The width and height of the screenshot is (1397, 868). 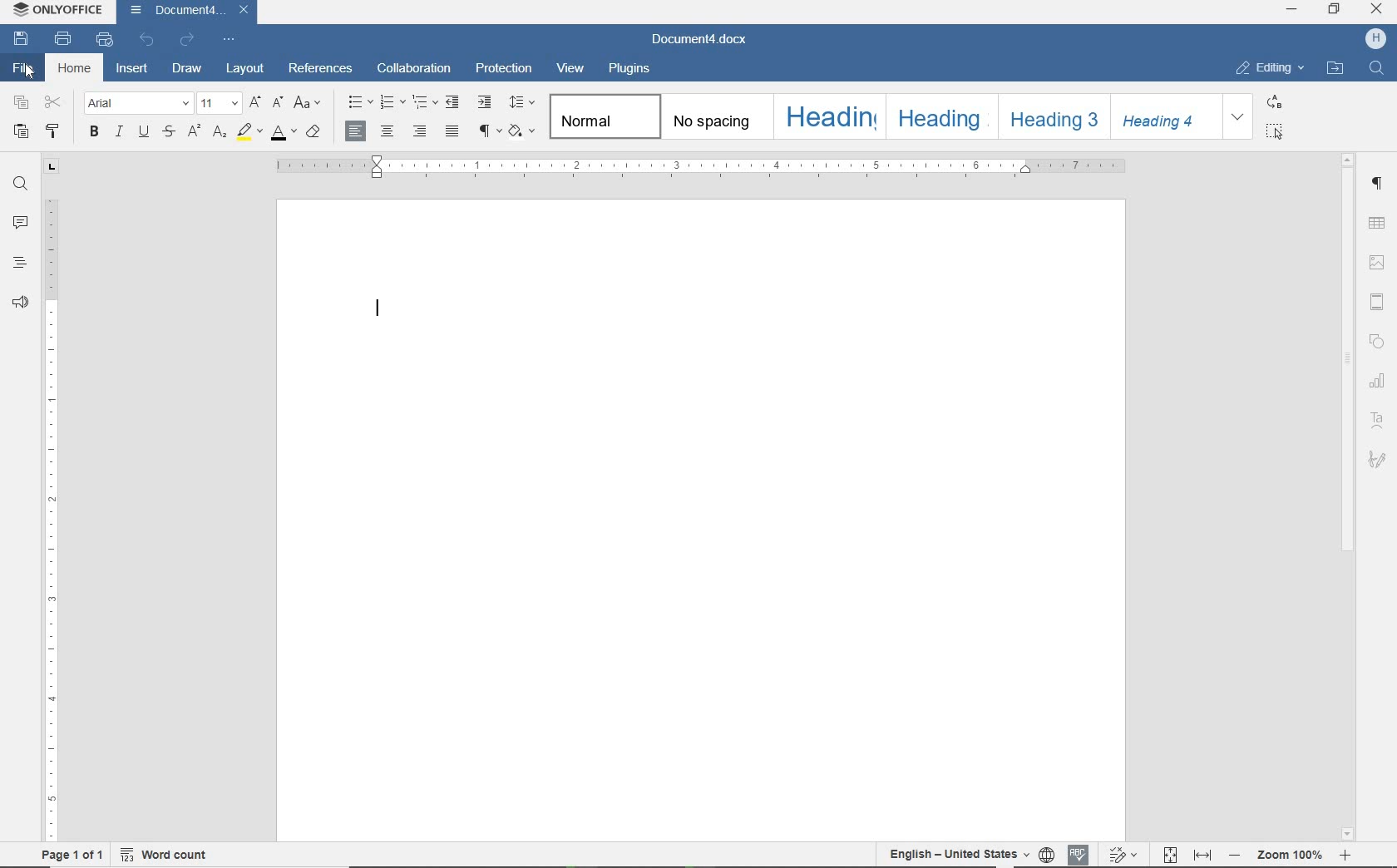 What do you see at coordinates (956, 856) in the screenshot?
I see `english- united states` at bounding box center [956, 856].